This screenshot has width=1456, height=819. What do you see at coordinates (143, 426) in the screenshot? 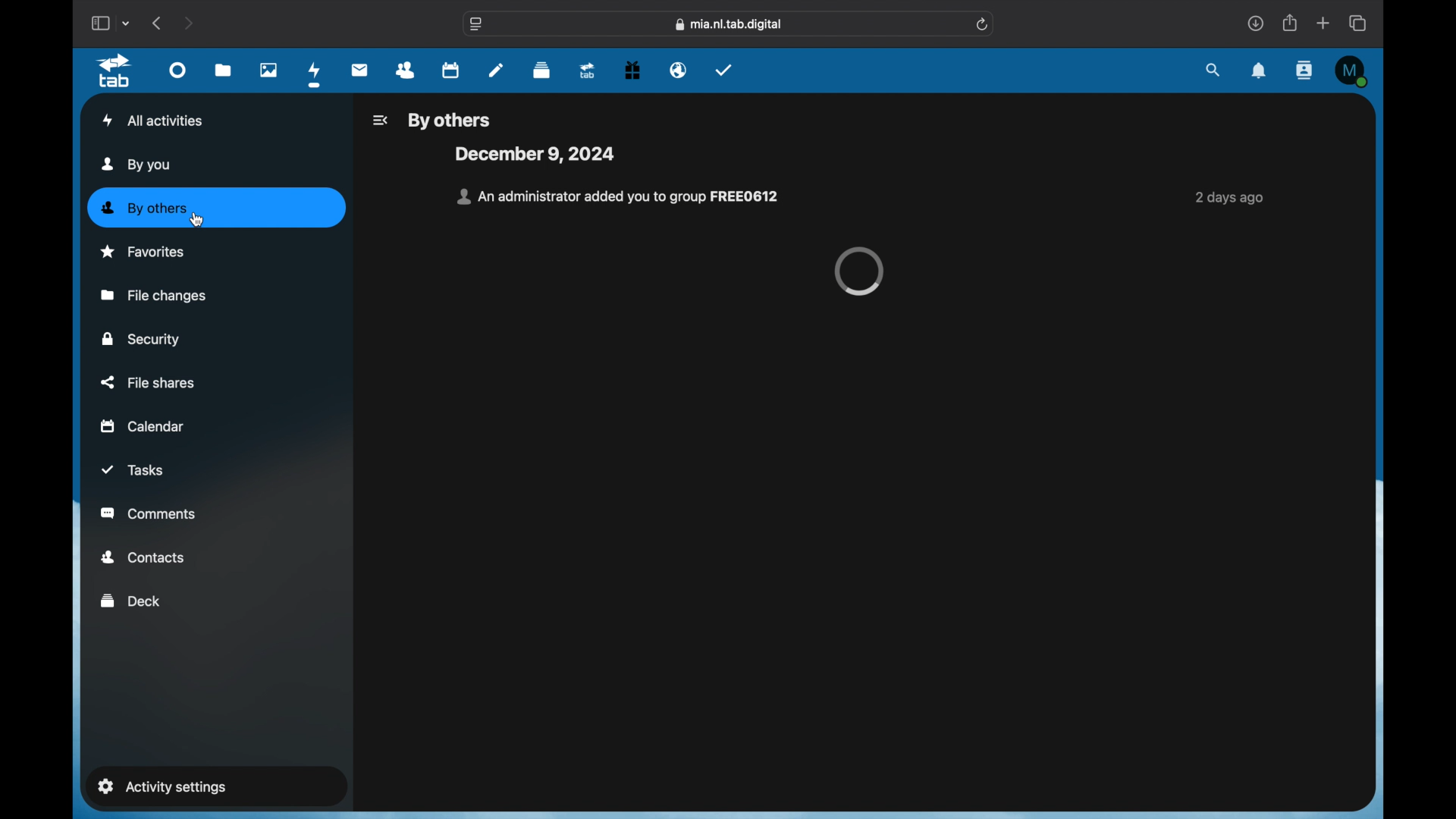
I see `calendar` at bounding box center [143, 426].